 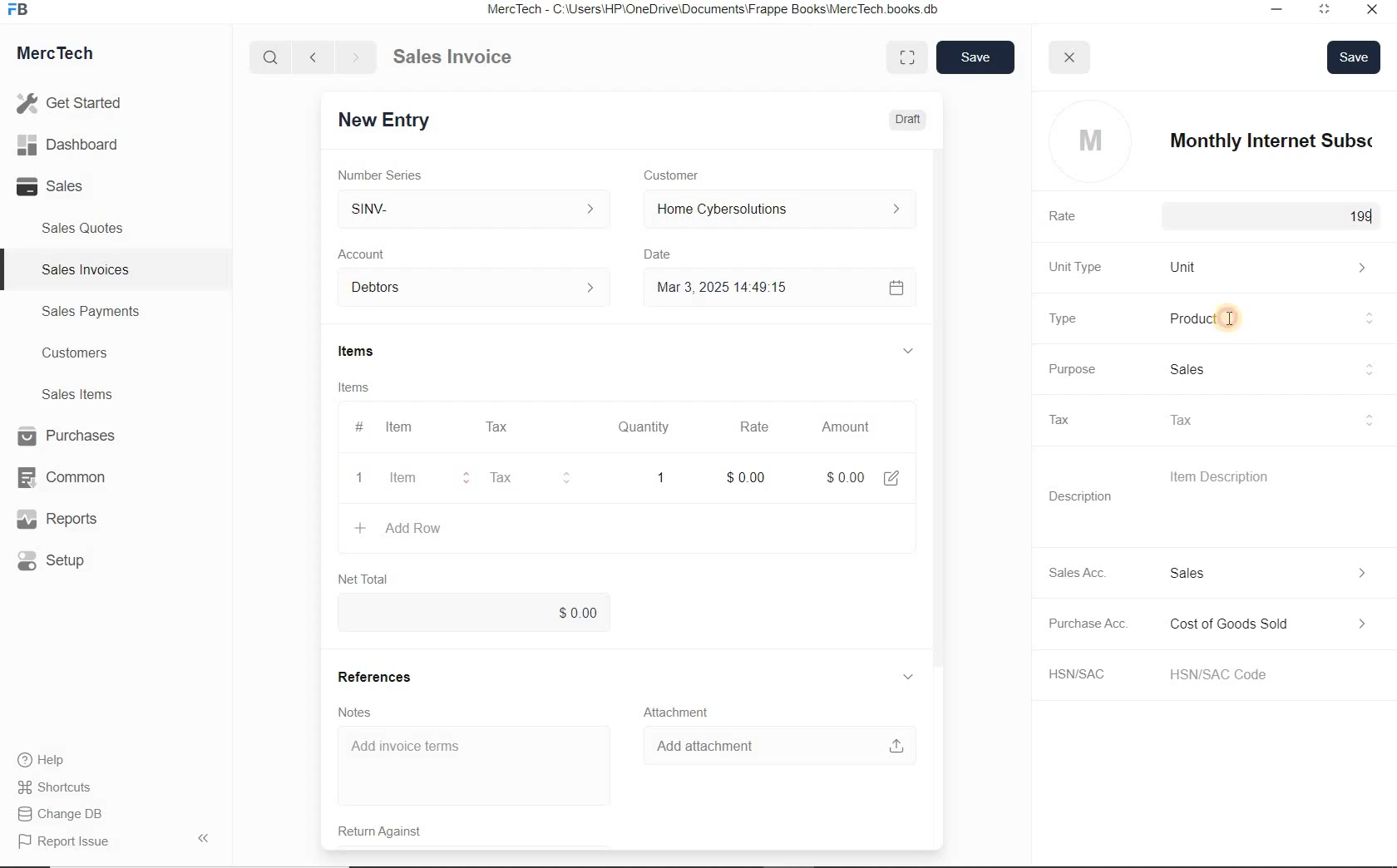 I want to click on Toggle between form and full width, so click(x=909, y=57).